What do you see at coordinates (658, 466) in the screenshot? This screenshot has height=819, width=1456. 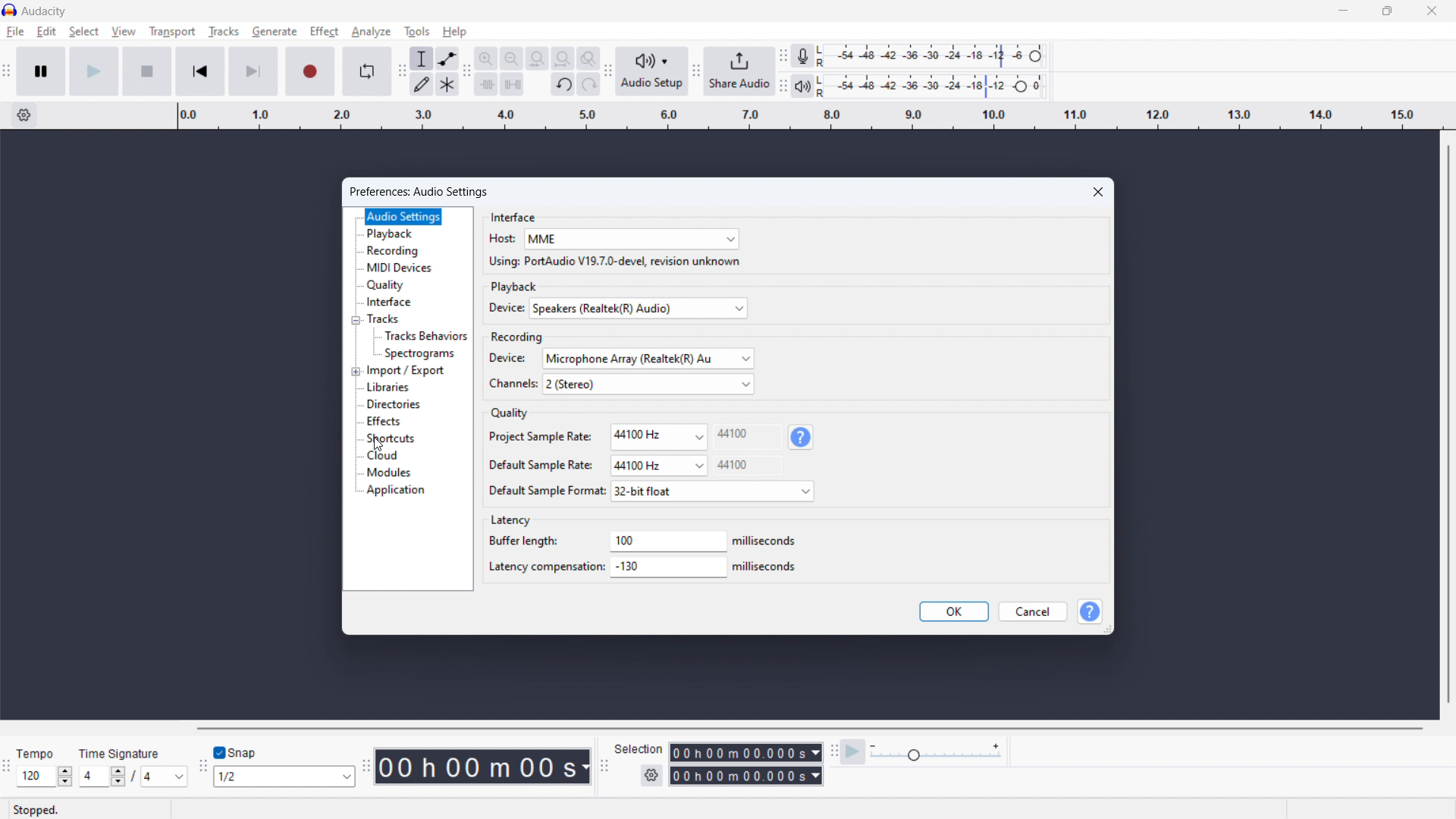 I see `default sample rate` at bounding box center [658, 466].